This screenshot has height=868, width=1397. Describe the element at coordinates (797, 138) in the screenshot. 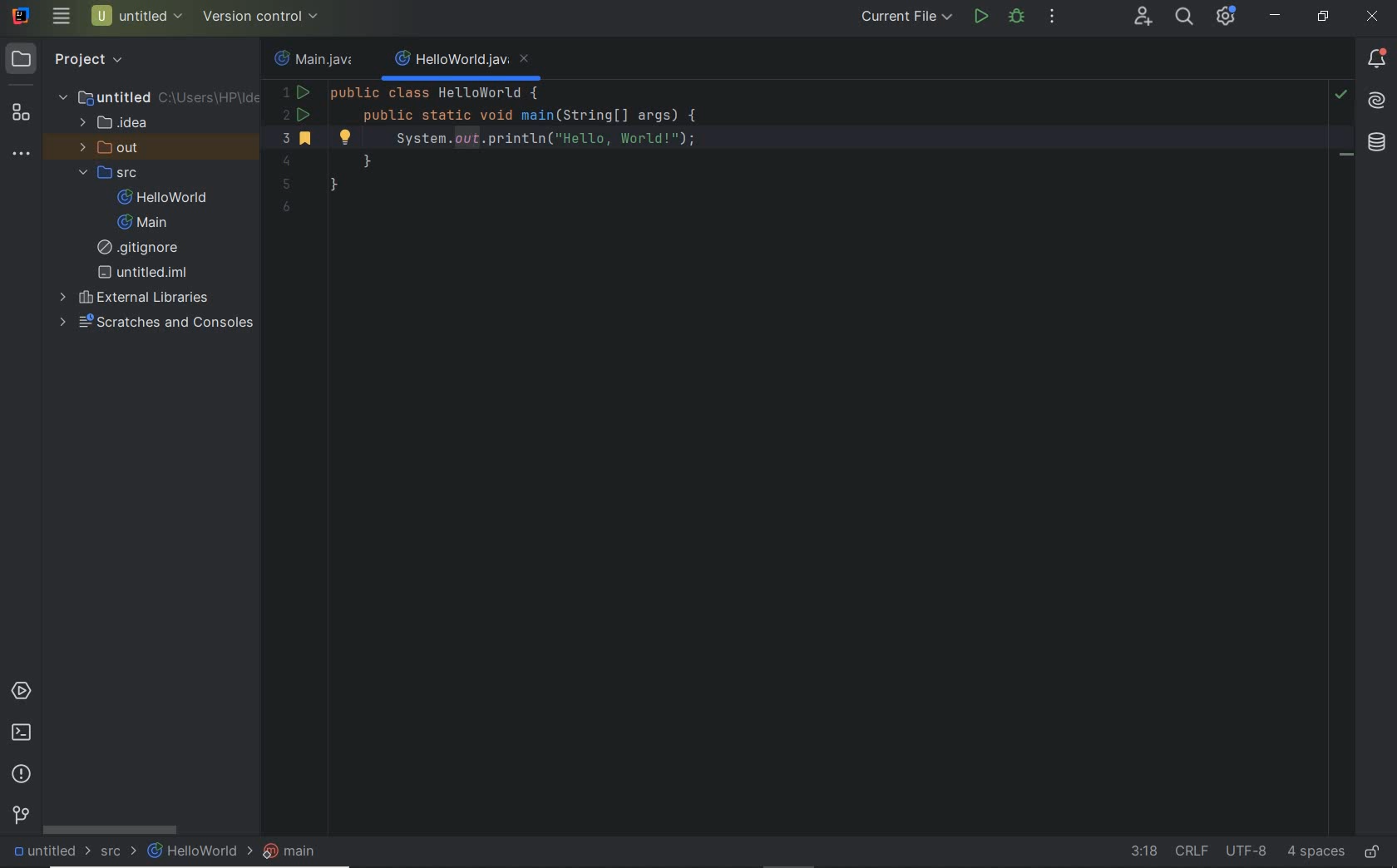

I see `selected line of code to duplicate` at that location.